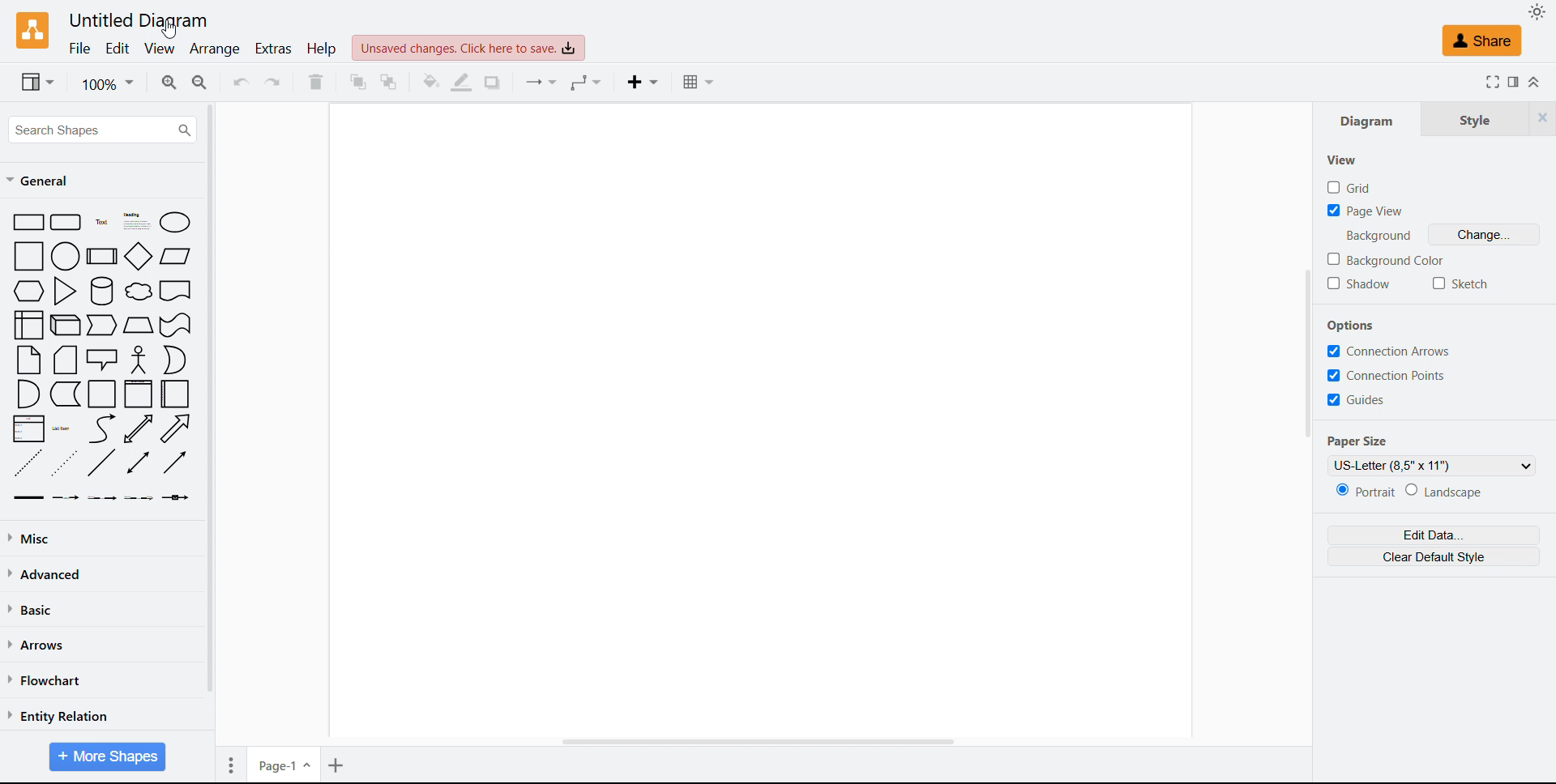 Image resolution: width=1556 pixels, height=784 pixels. I want to click on guides , so click(1356, 399).